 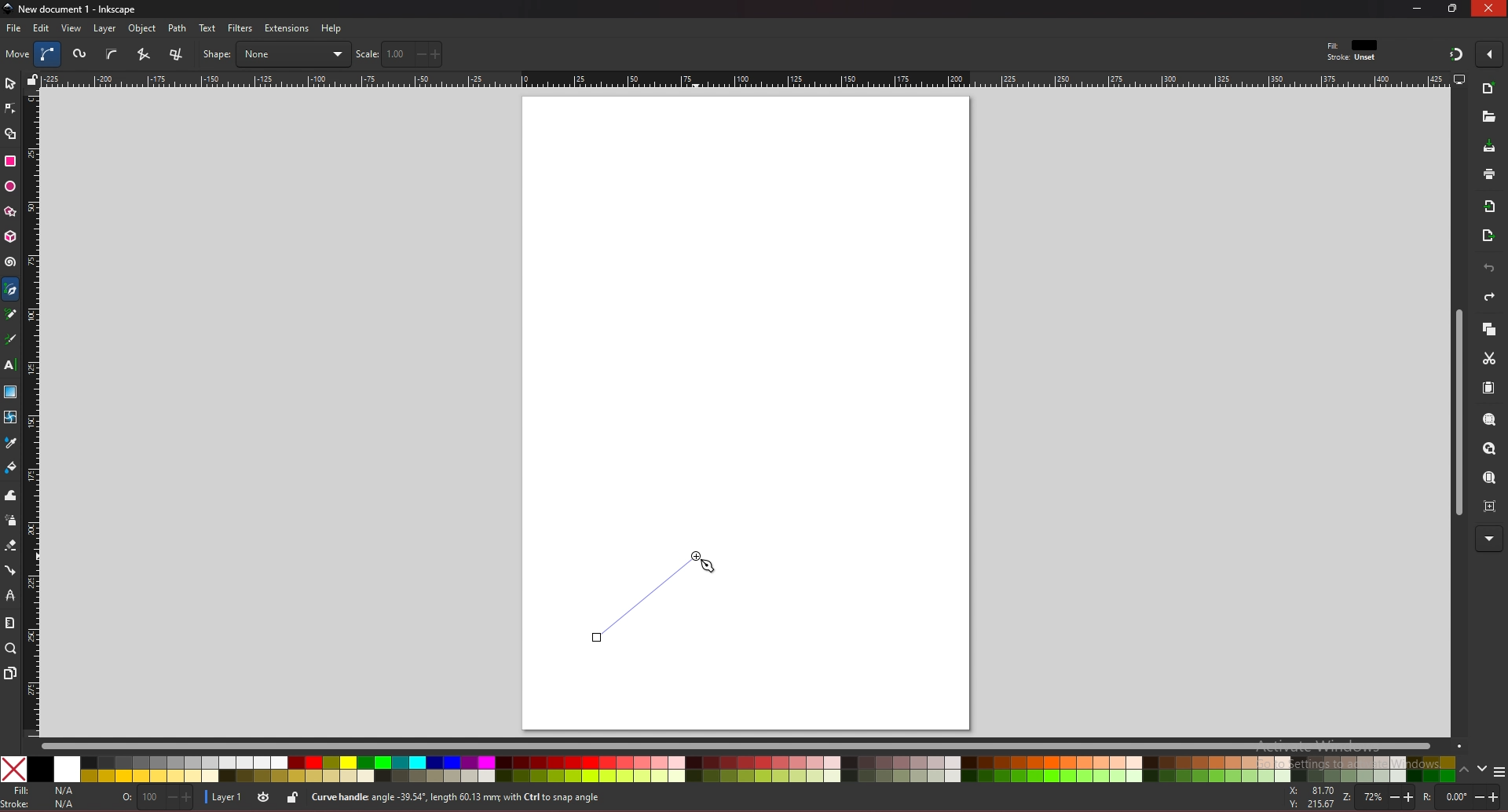 I want to click on squence of straight line segments, so click(x=143, y=54).